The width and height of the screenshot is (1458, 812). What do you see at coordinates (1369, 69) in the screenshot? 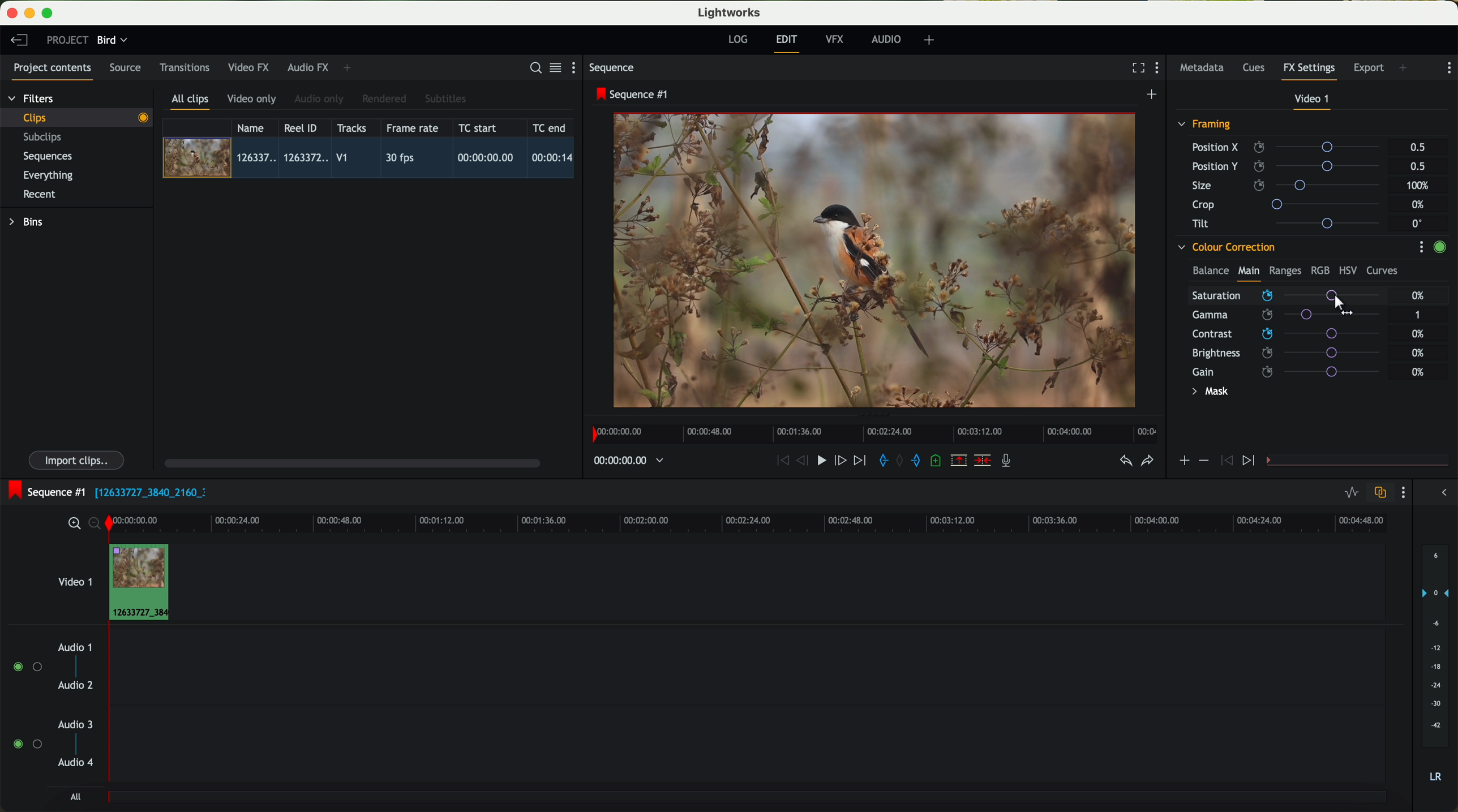
I see `export` at bounding box center [1369, 69].